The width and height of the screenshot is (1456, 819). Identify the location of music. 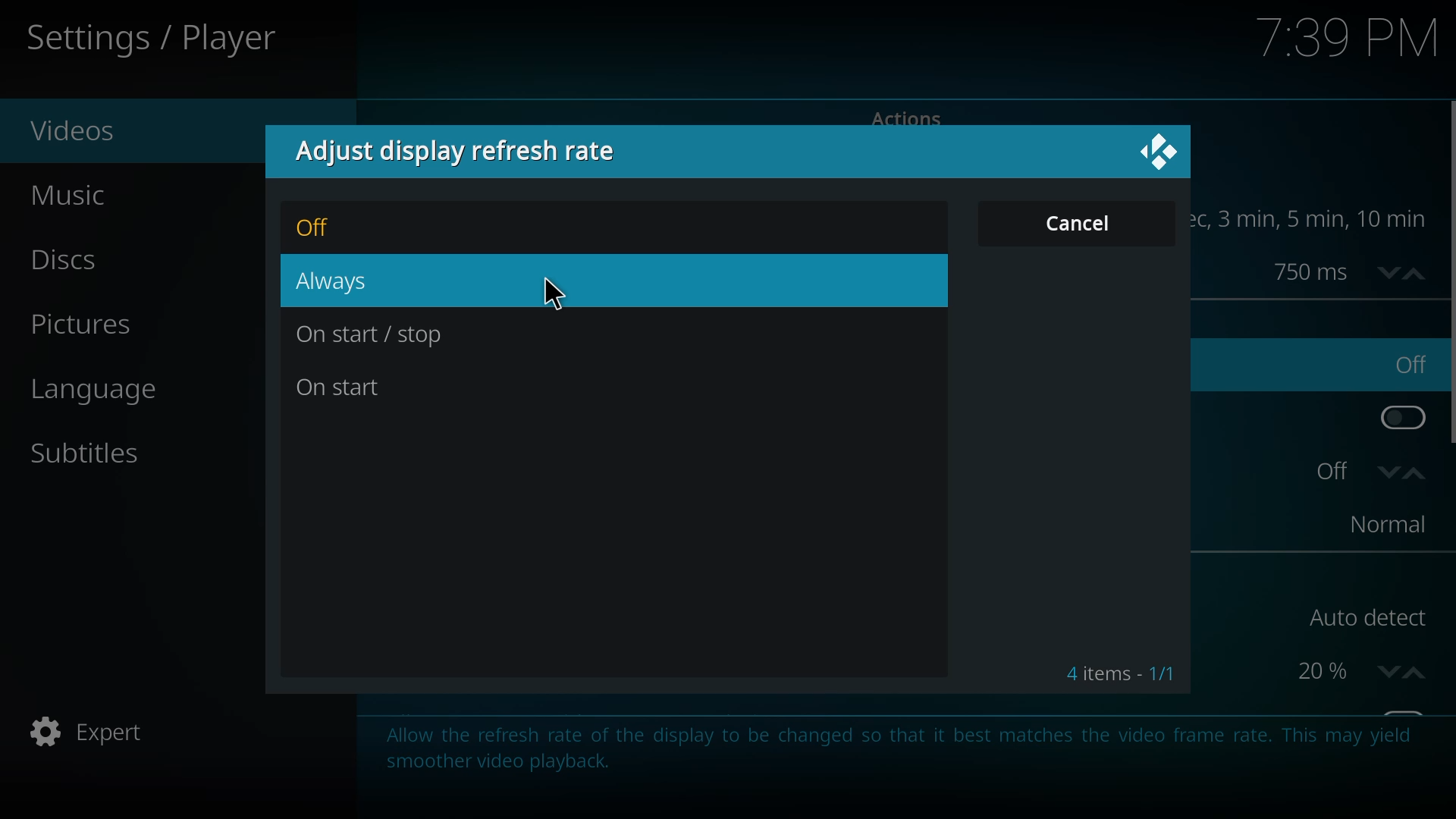
(83, 196).